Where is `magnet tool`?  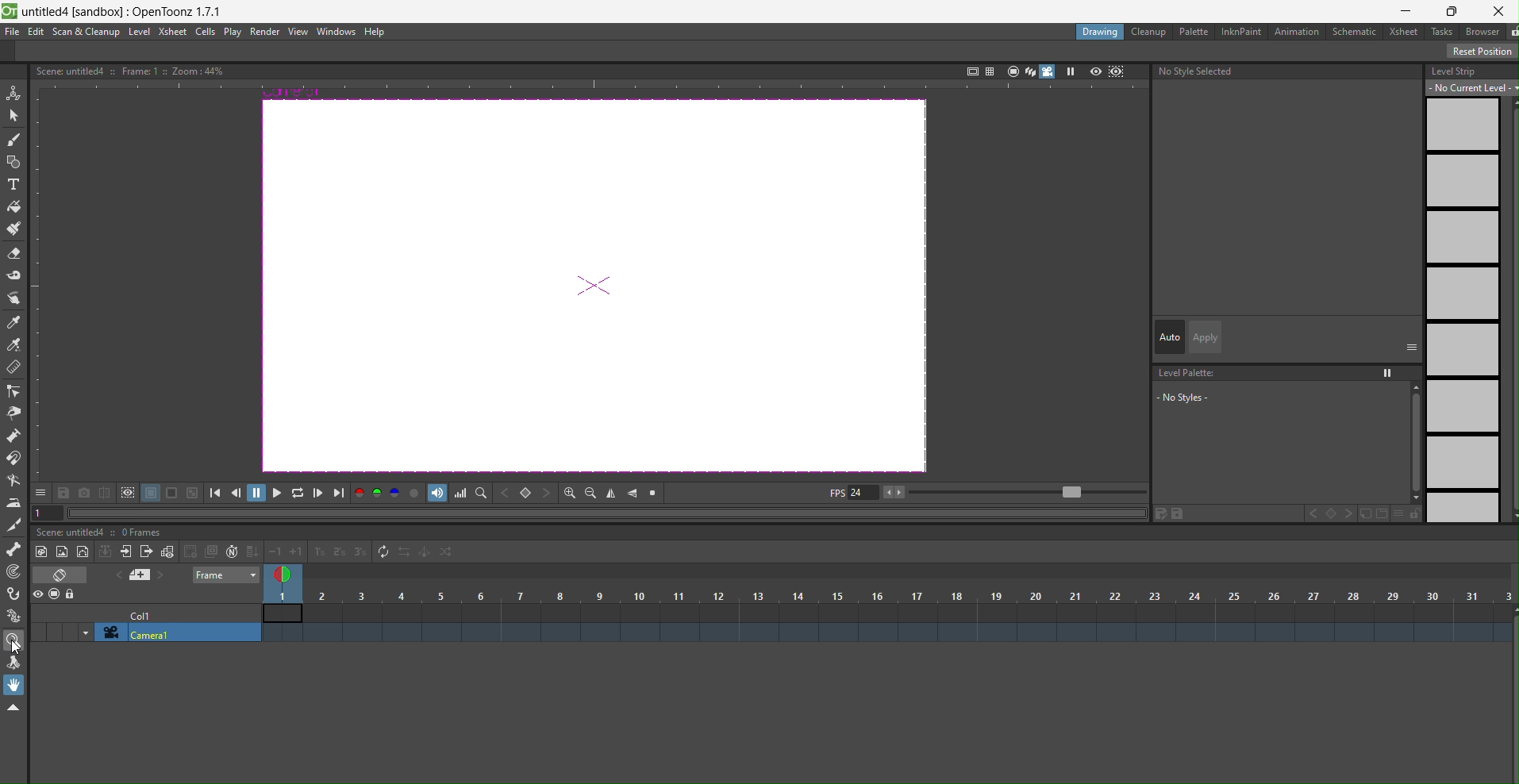
magnet tool is located at coordinates (15, 459).